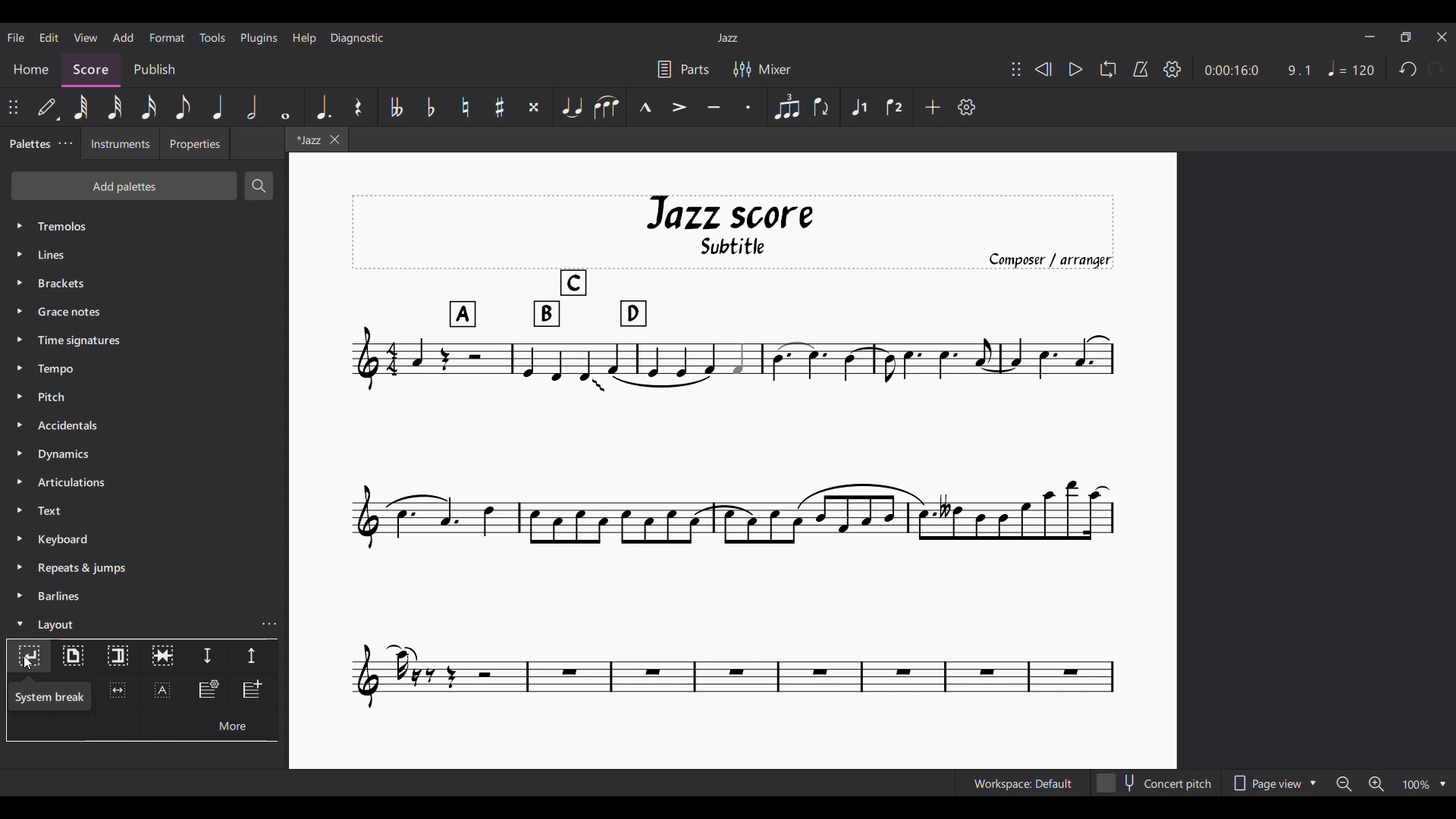 The image size is (1456, 819). Describe the element at coordinates (748, 107) in the screenshot. I see `Staccato` at that location.